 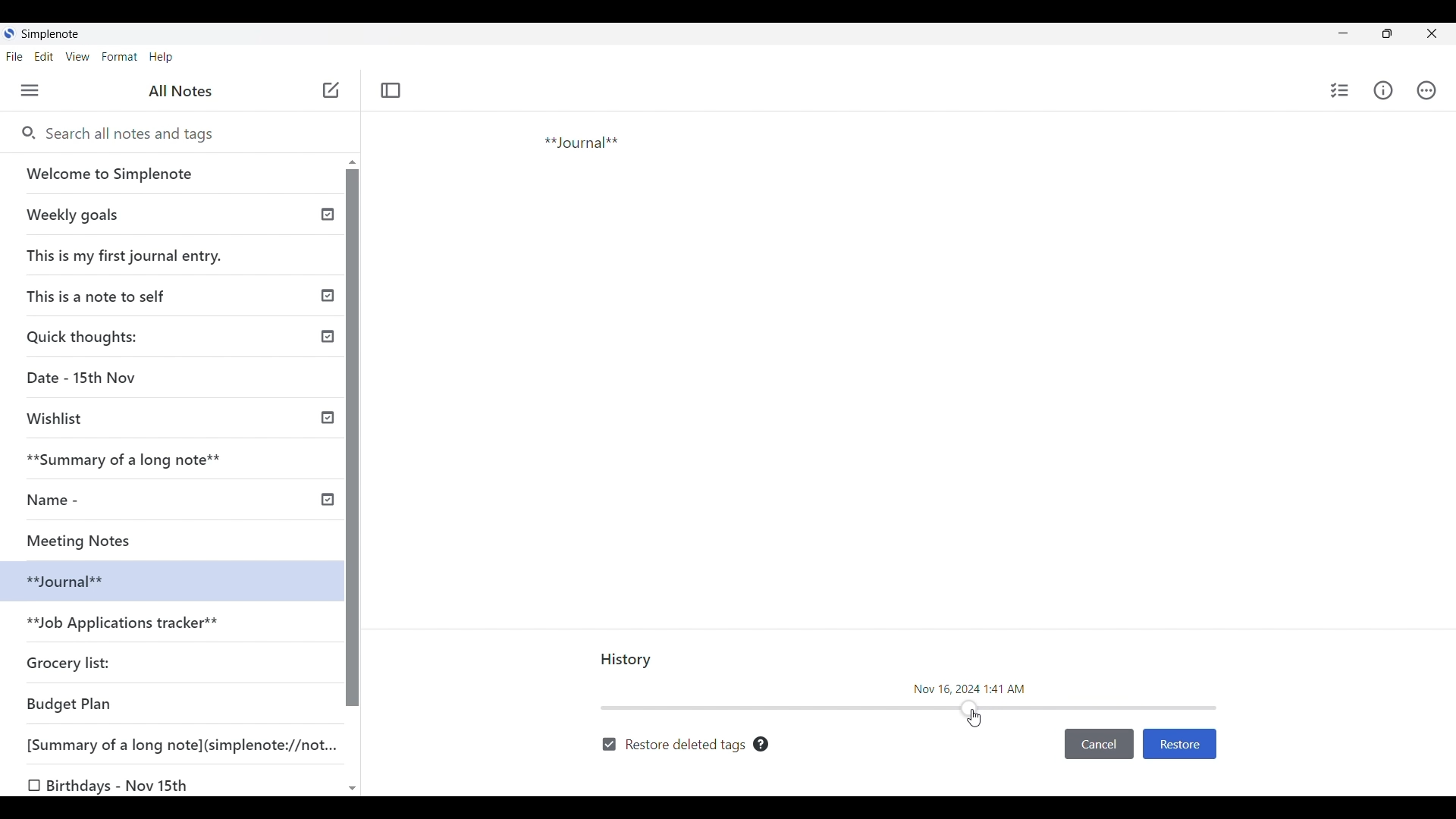 I want to click on Budget Plan, so click(x=70, y=704).